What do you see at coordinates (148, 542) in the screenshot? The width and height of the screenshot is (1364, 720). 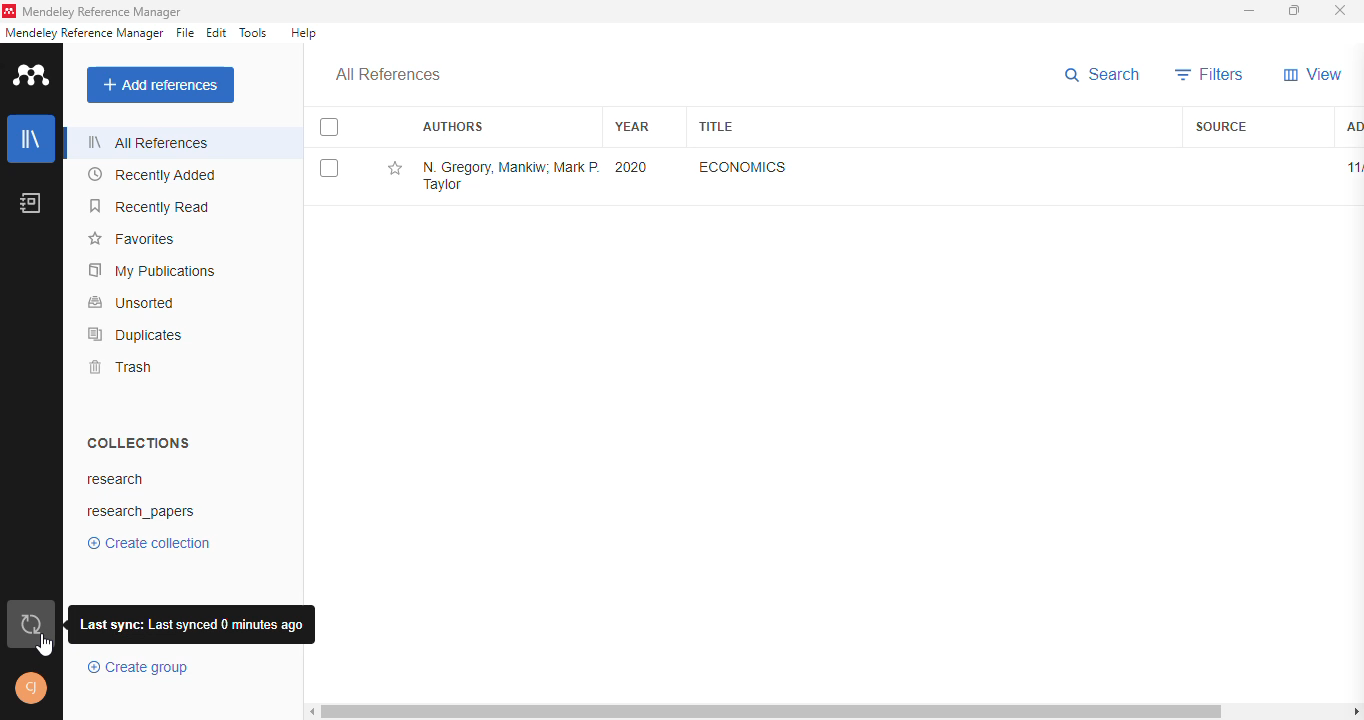 I see `create collection` at bounding box center [148, 542].